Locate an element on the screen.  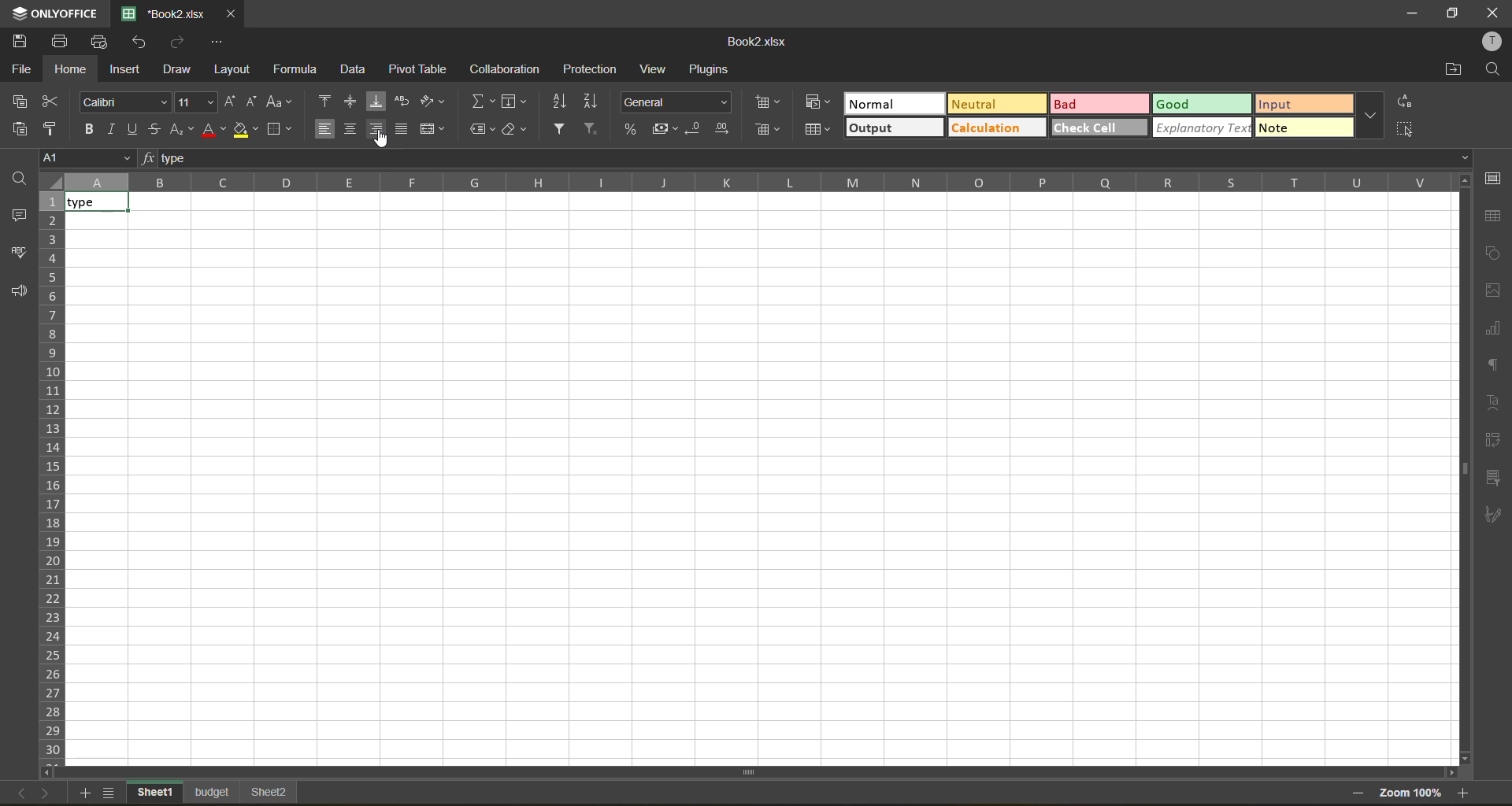
align middle is located at coordinates (354, 104).